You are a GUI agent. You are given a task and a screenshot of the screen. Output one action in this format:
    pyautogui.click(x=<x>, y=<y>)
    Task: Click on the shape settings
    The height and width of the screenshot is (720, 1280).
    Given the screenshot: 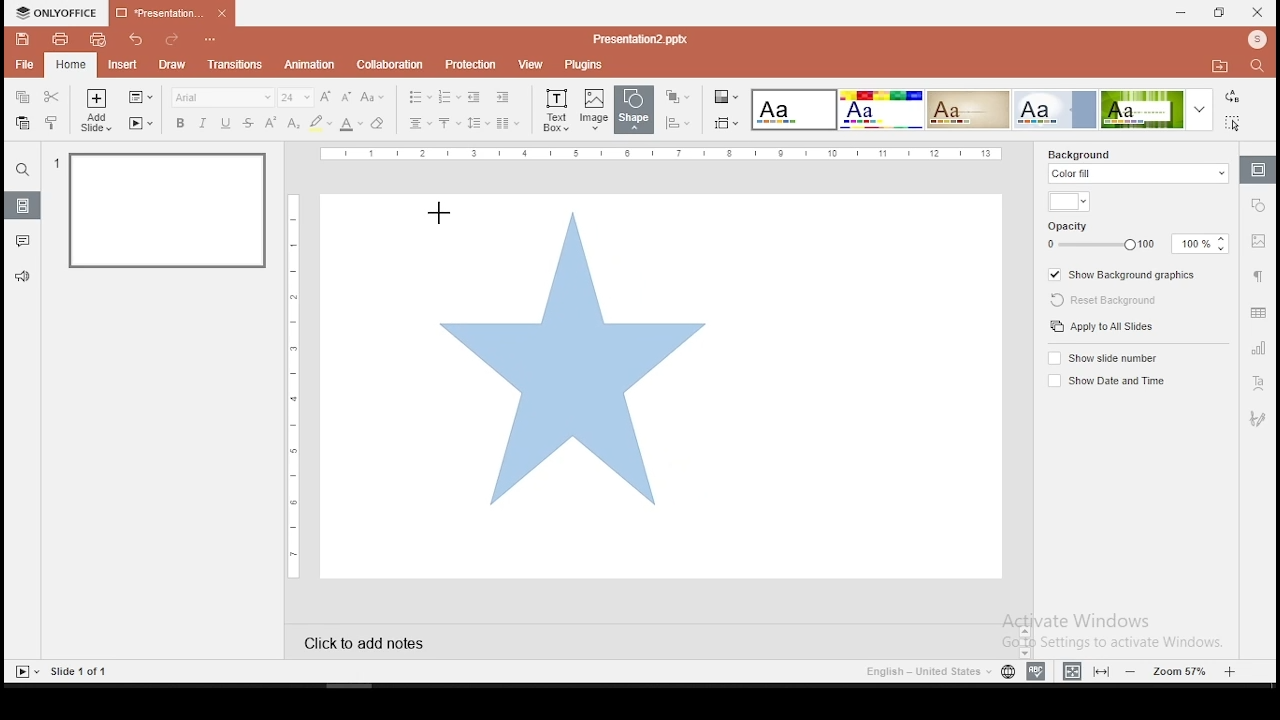 What is the action you would take?
    pyautogui.click(x=1259, y=204)
    